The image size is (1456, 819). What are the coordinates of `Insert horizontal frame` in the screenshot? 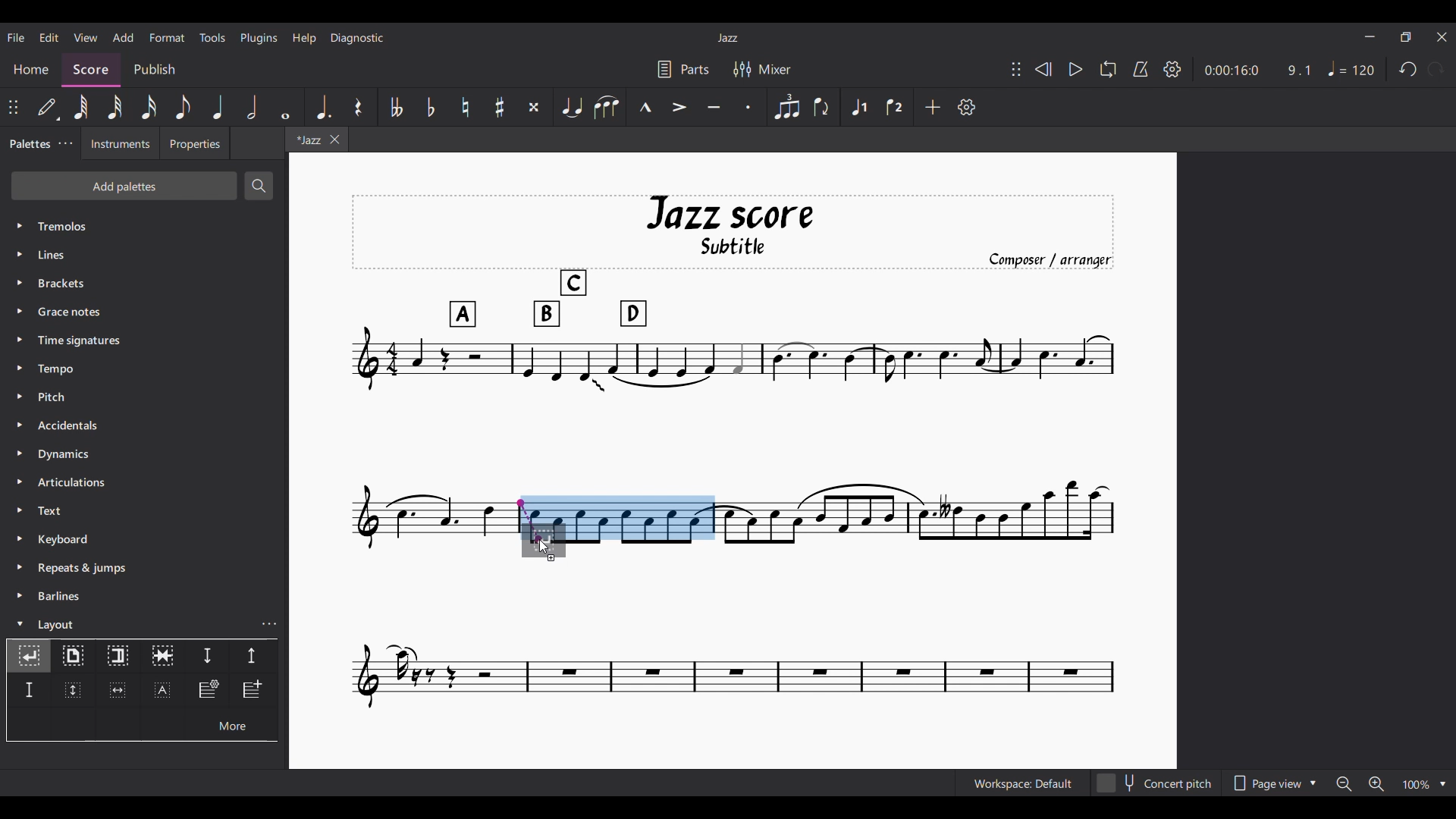 It's located at (118, 690).